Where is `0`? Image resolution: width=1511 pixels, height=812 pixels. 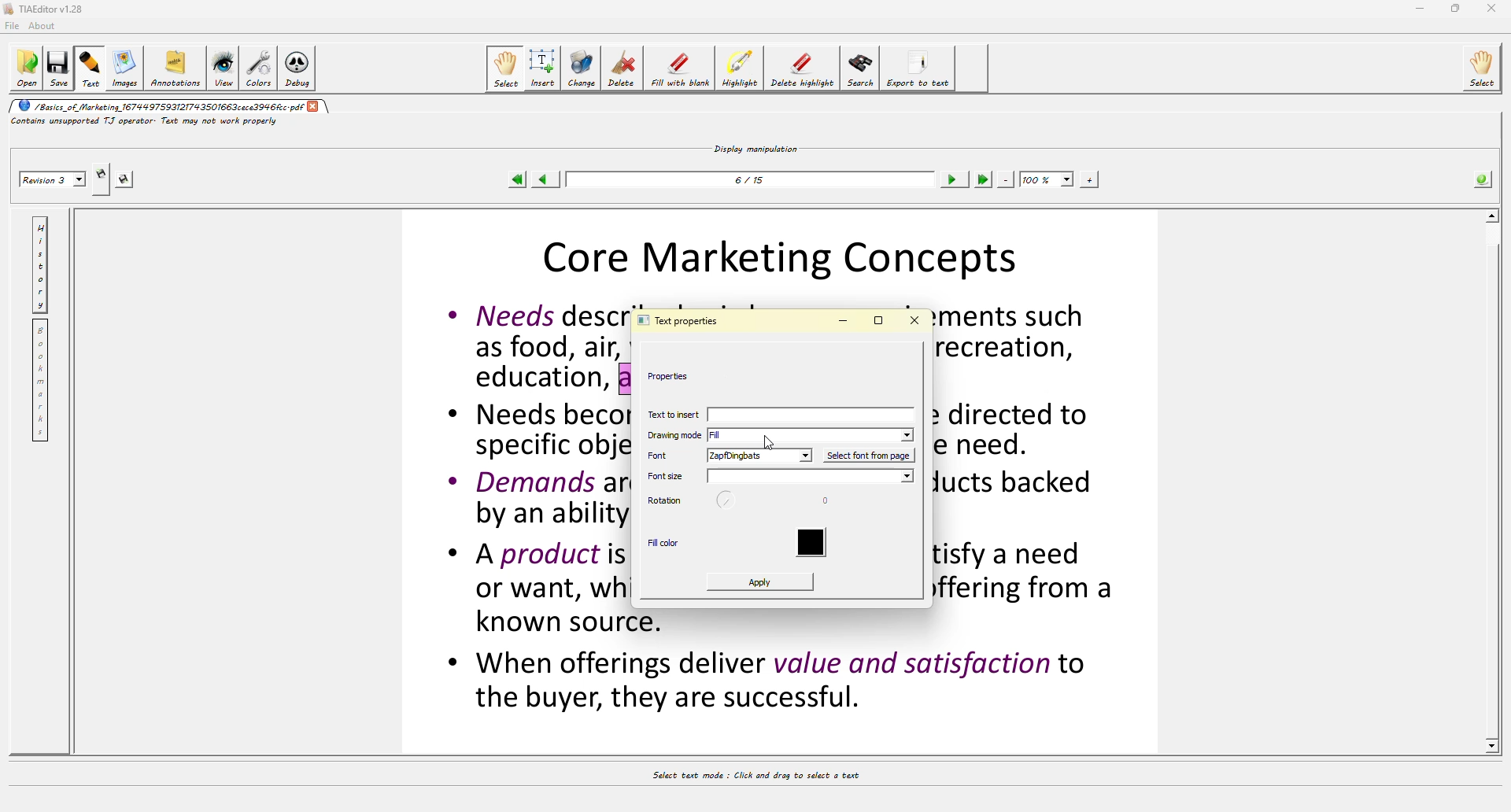
0 is located at coordinates (823, 497).